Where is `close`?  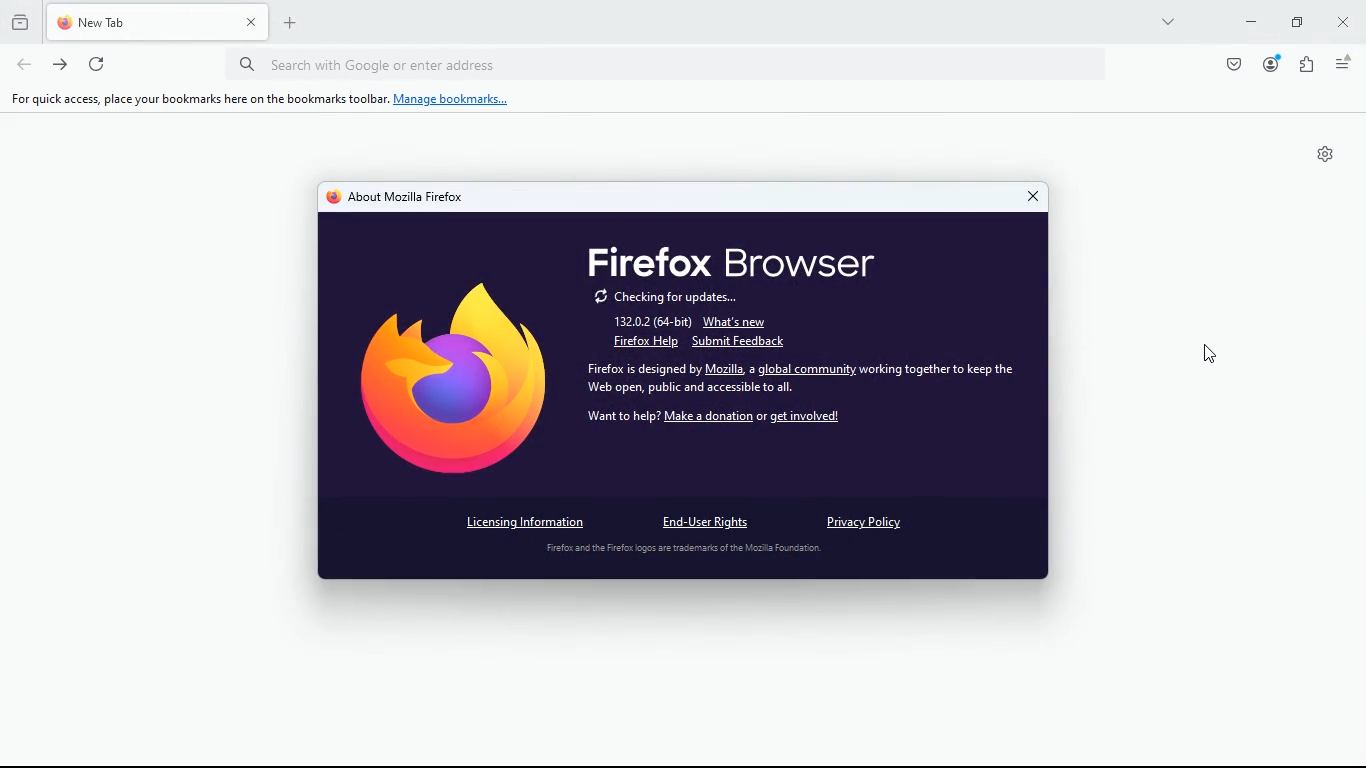
close is located at coordinates (1345, 22).